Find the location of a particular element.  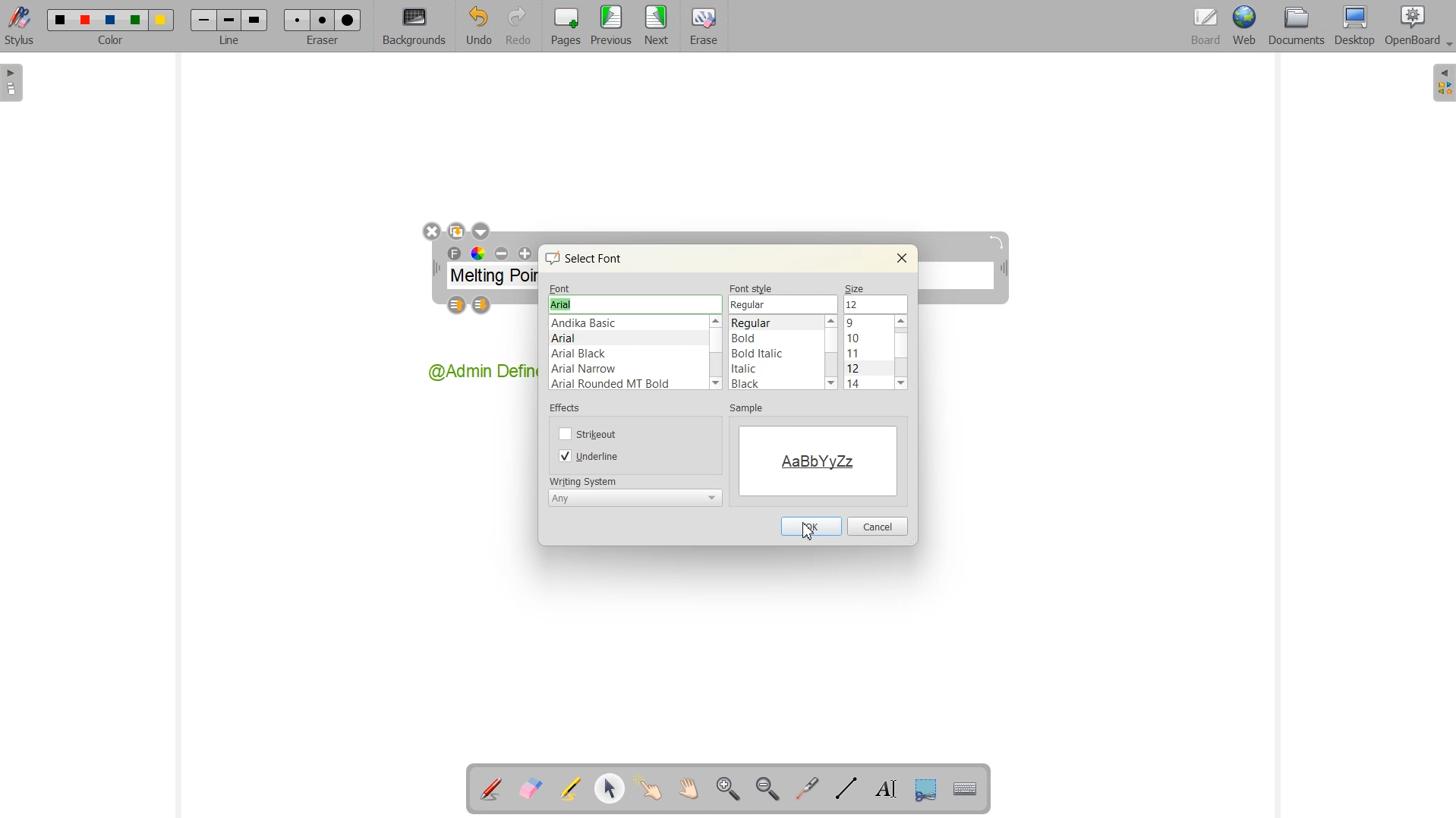

Pages is located at coordinates (563, 27).